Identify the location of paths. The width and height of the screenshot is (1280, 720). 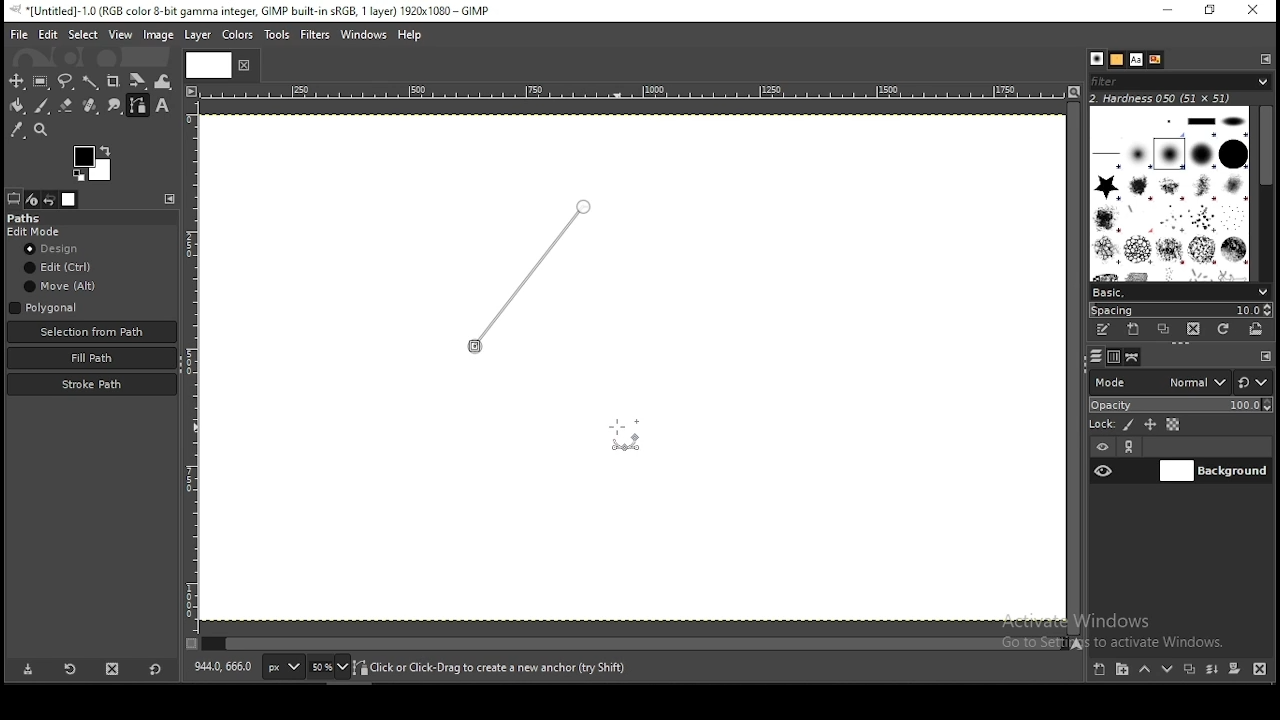
(29, 218).